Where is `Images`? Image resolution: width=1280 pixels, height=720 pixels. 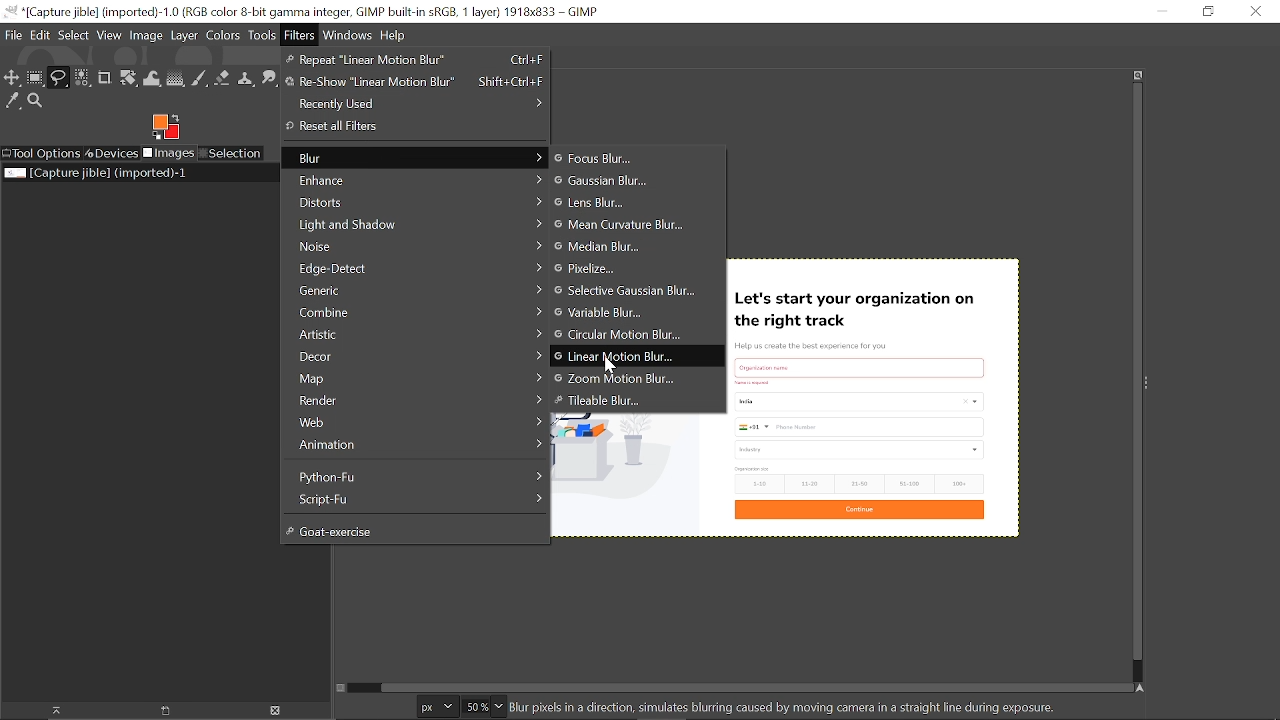
Images is located at coordinates (170, 154).